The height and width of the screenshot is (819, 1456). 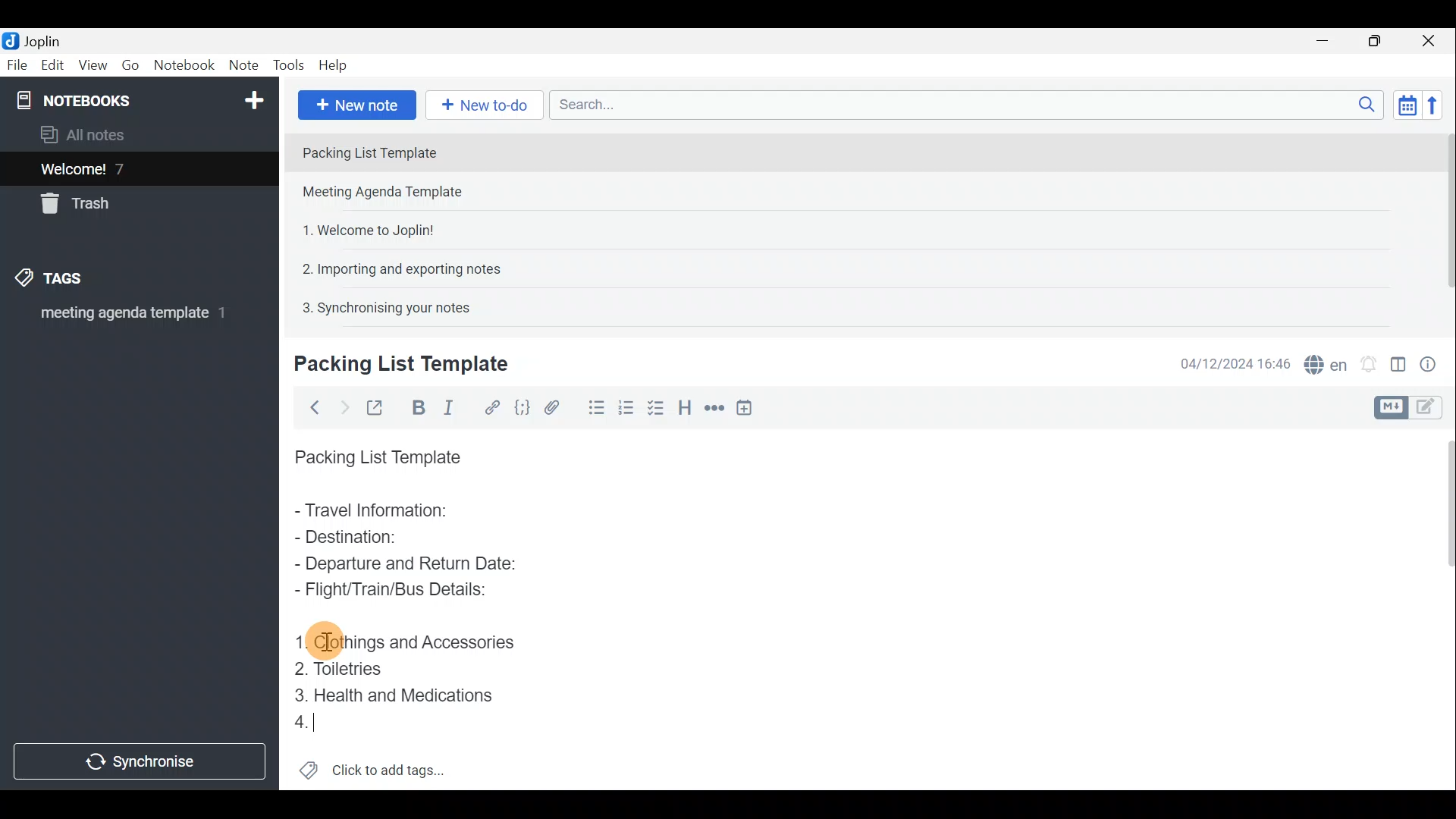 I want to click on Insert time, so click(x=749, y=407).